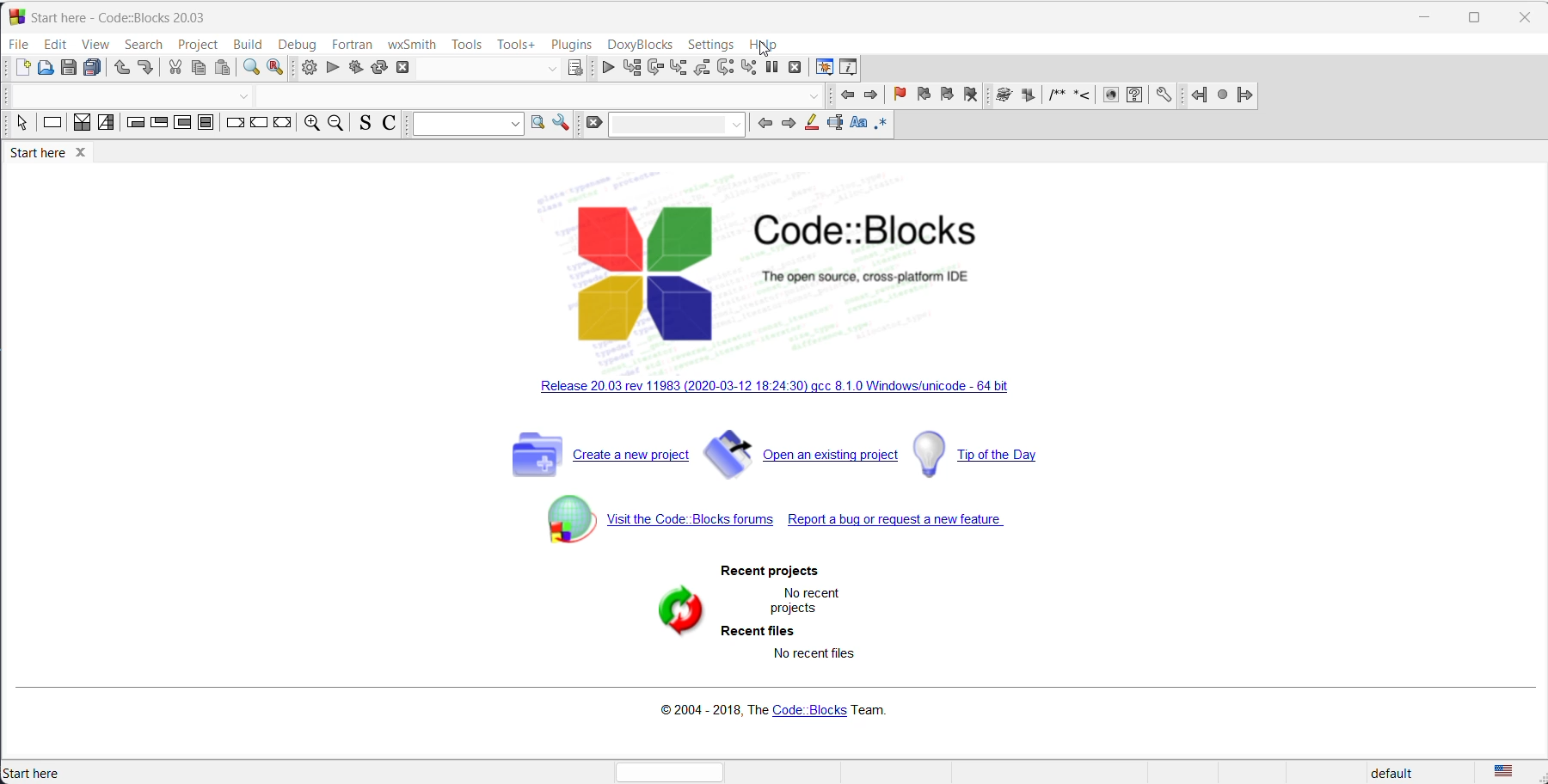 The width and height of the screenshot is (1548, 784). What do you see at coordinates (764, 125) in the screenshot?
I see `go back` at bounding box center [764, 125].